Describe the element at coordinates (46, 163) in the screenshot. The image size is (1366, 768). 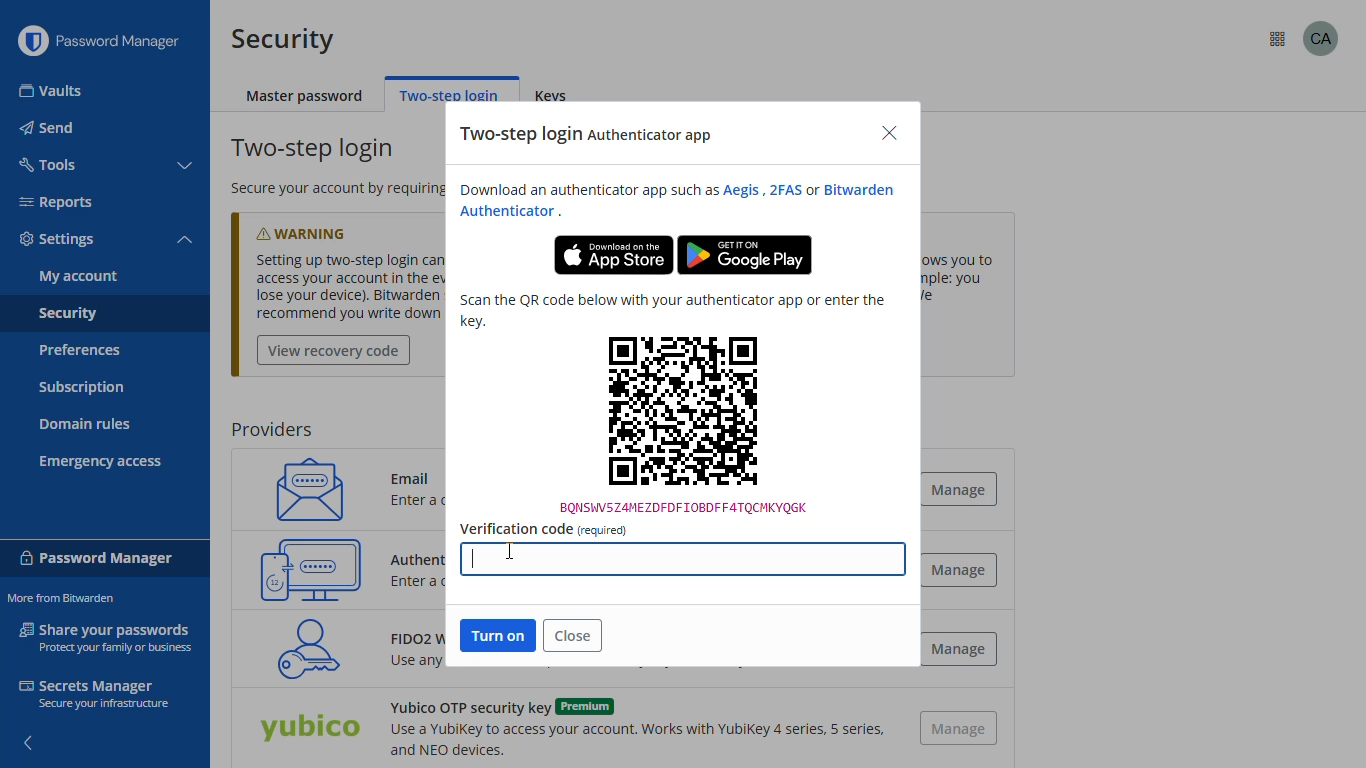
I see `tools` at that location.